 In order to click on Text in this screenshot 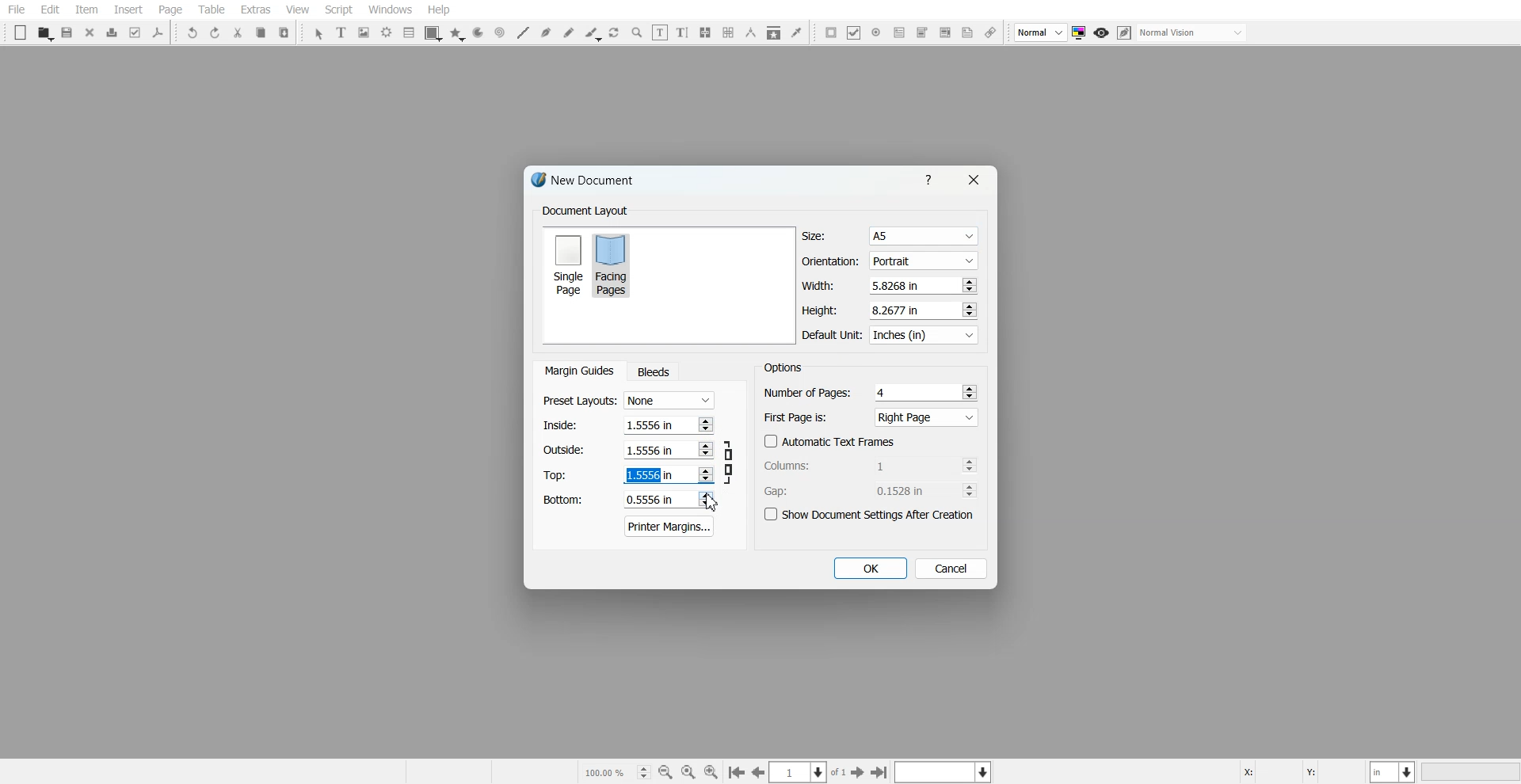, I will do `click(589, 182)`.